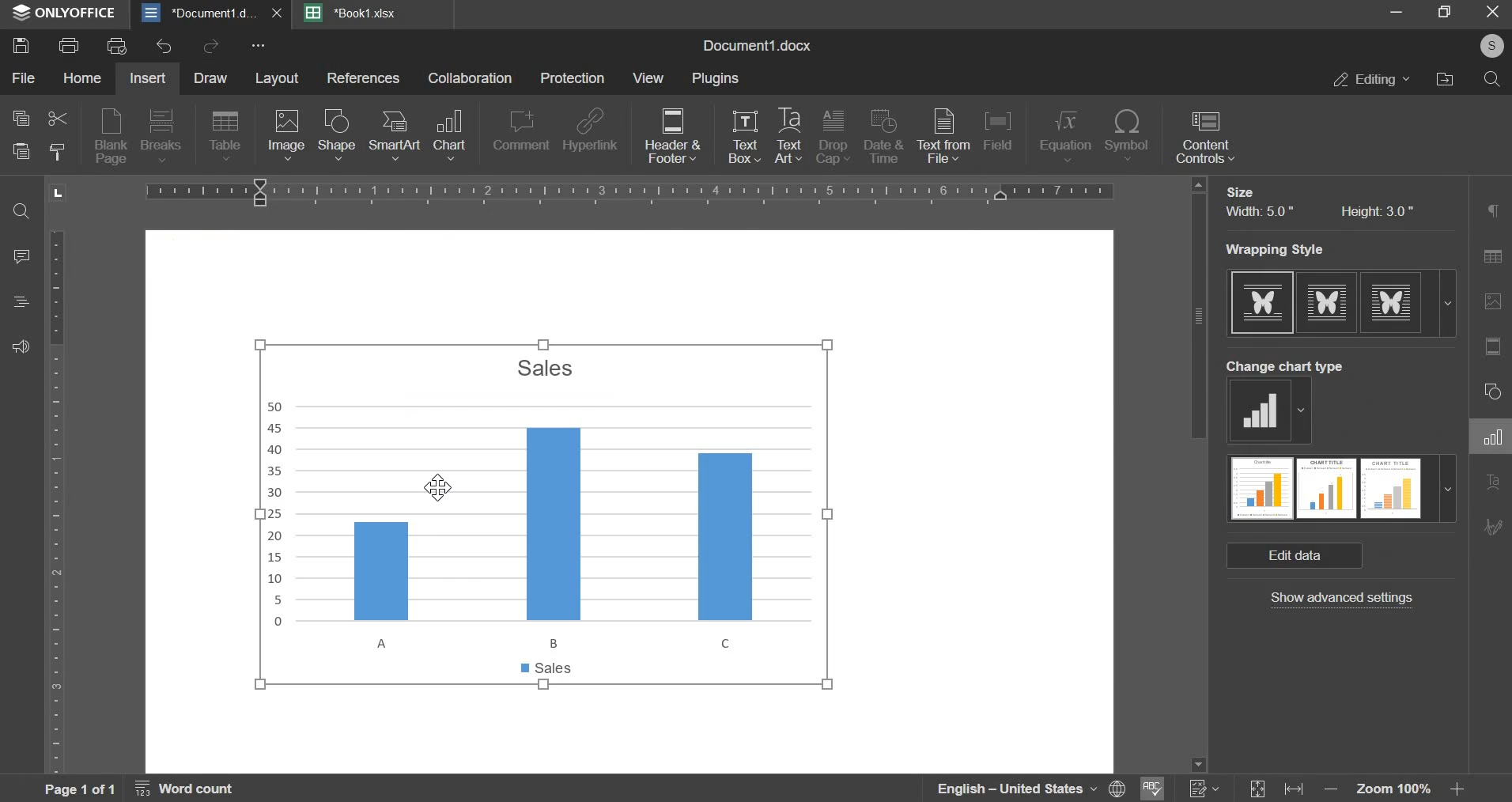  Describe the element at coordinates (635, 191) in the screenshot. I see `horizontal scale` at that location.